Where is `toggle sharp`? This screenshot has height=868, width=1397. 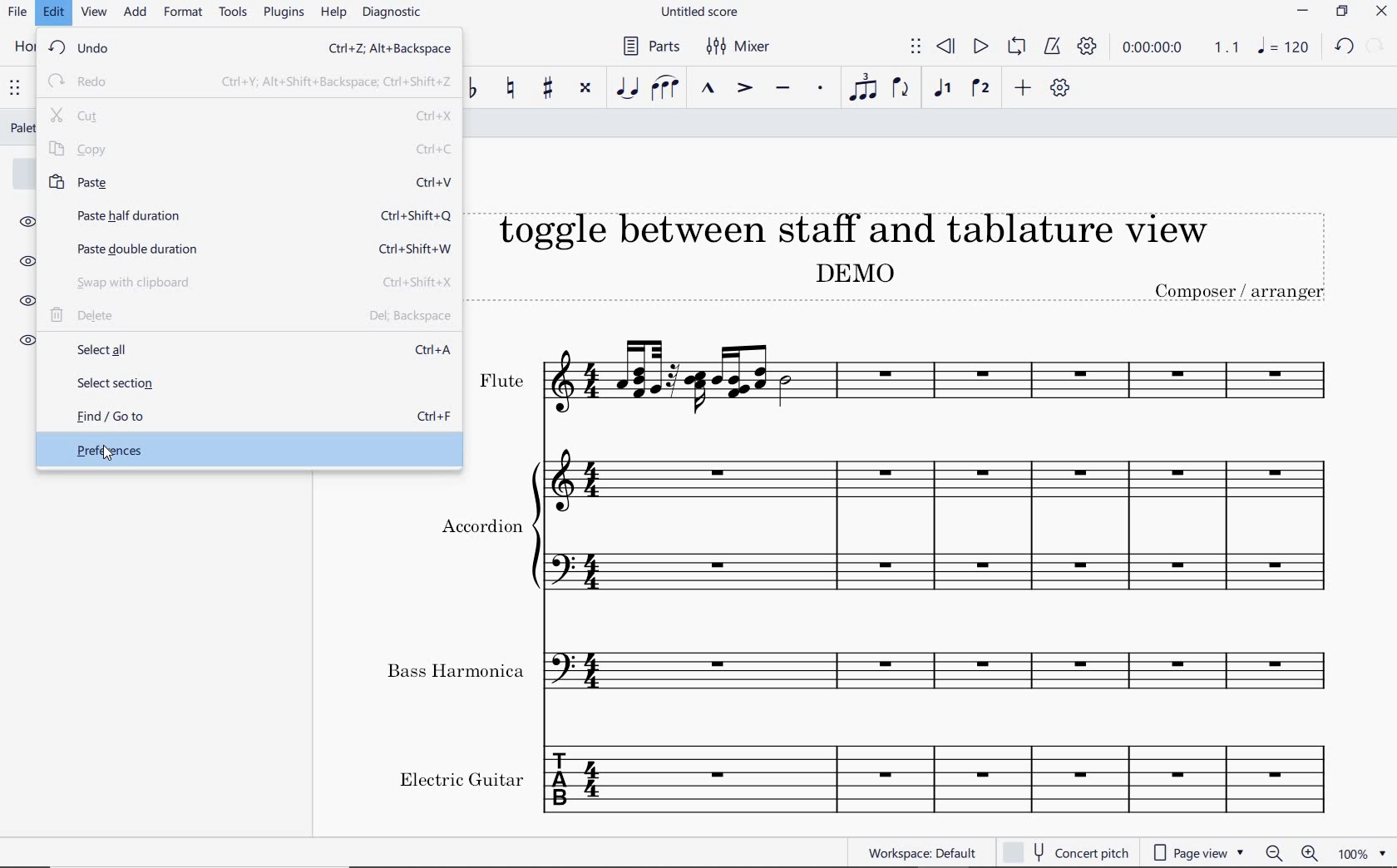 toggle sharp is located at coordinates (548, 89).